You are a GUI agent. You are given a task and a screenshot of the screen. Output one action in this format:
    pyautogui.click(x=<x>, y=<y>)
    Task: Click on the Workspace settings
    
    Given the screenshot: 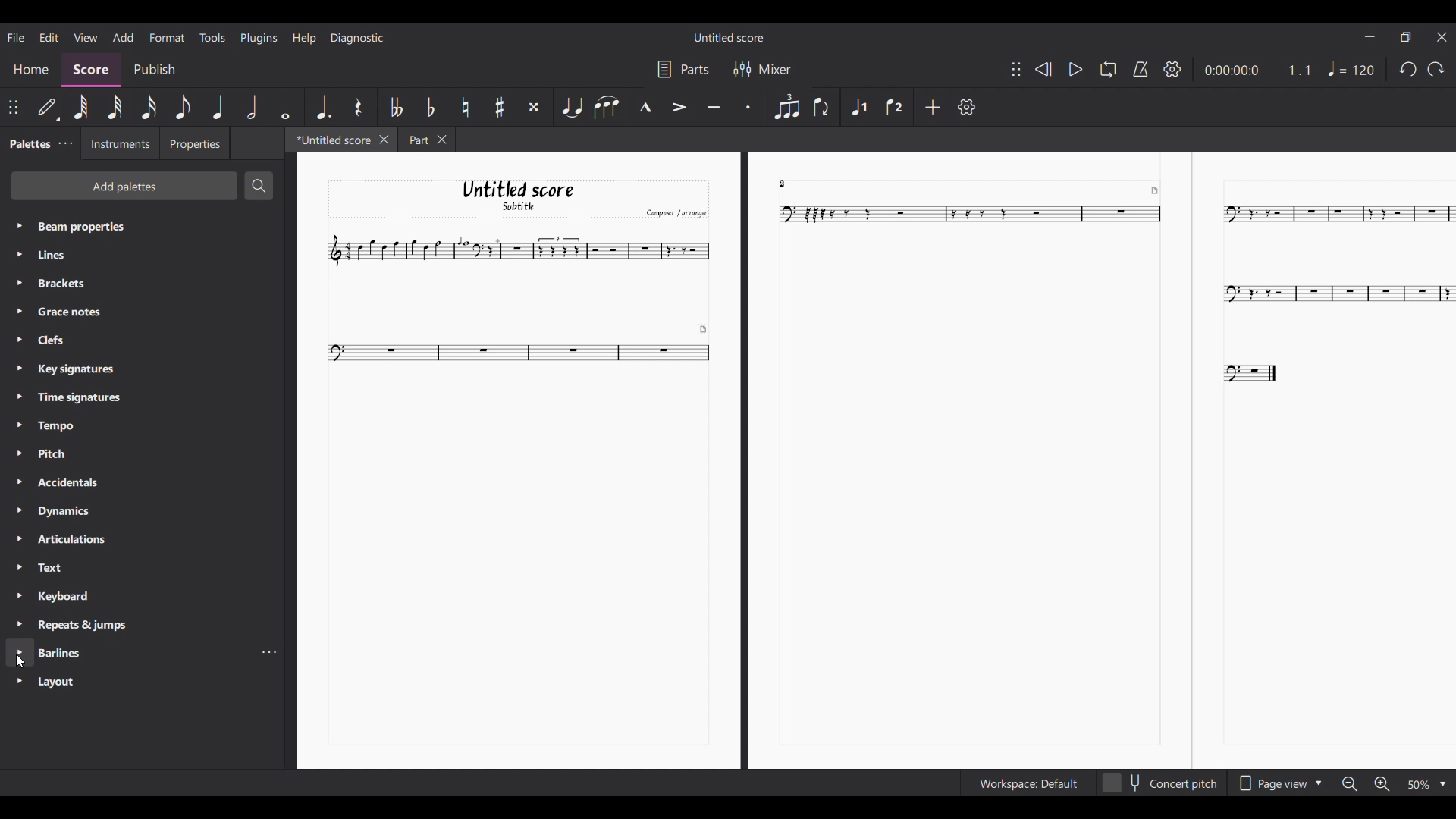 What is the action you would take?
    pyautogui.click(x=1027, y=783)
    